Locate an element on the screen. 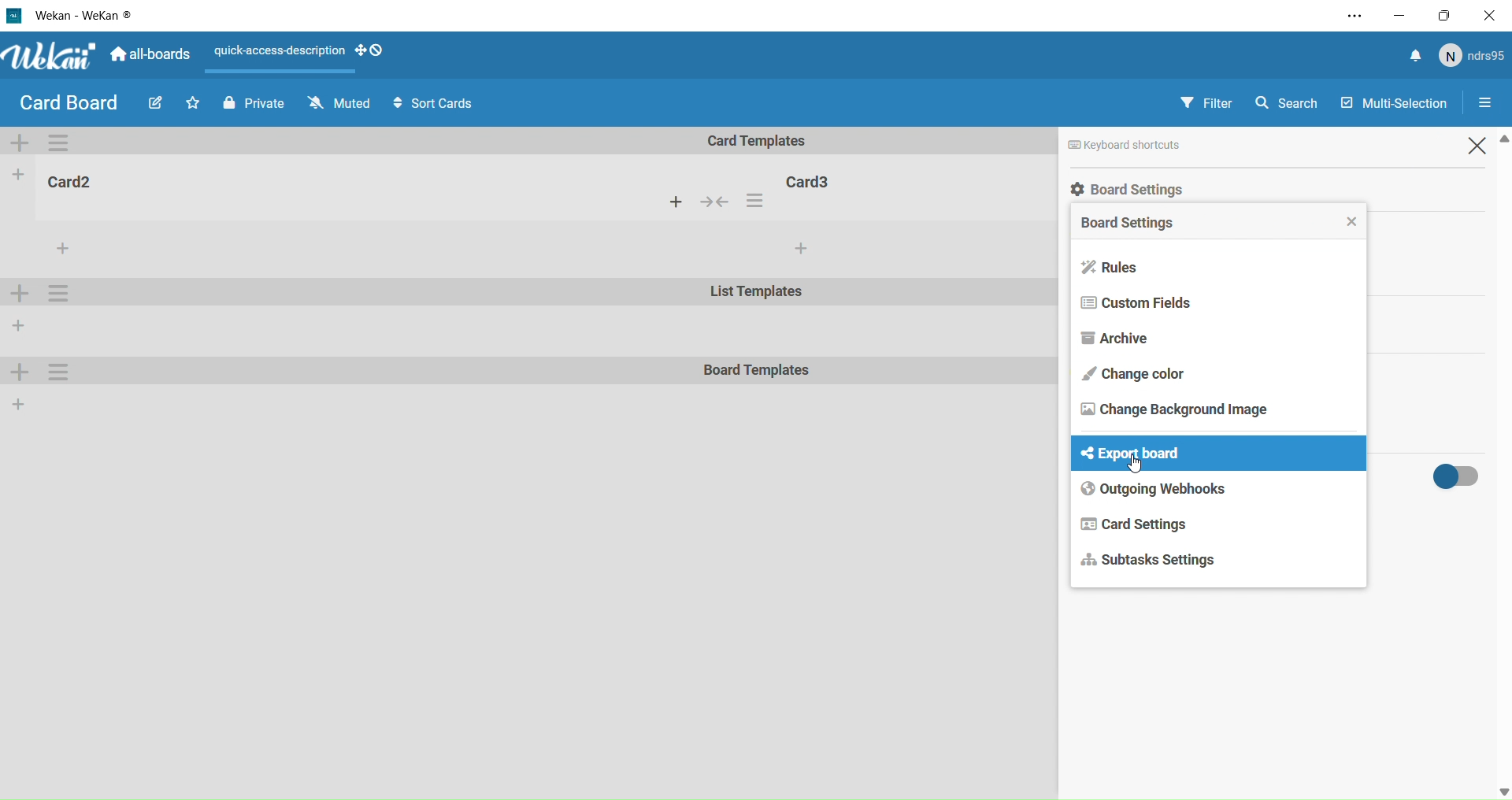 Image resolution: width=1512 pixels, height=800 pixels. Card settings is located at coordinates (1140, 524).